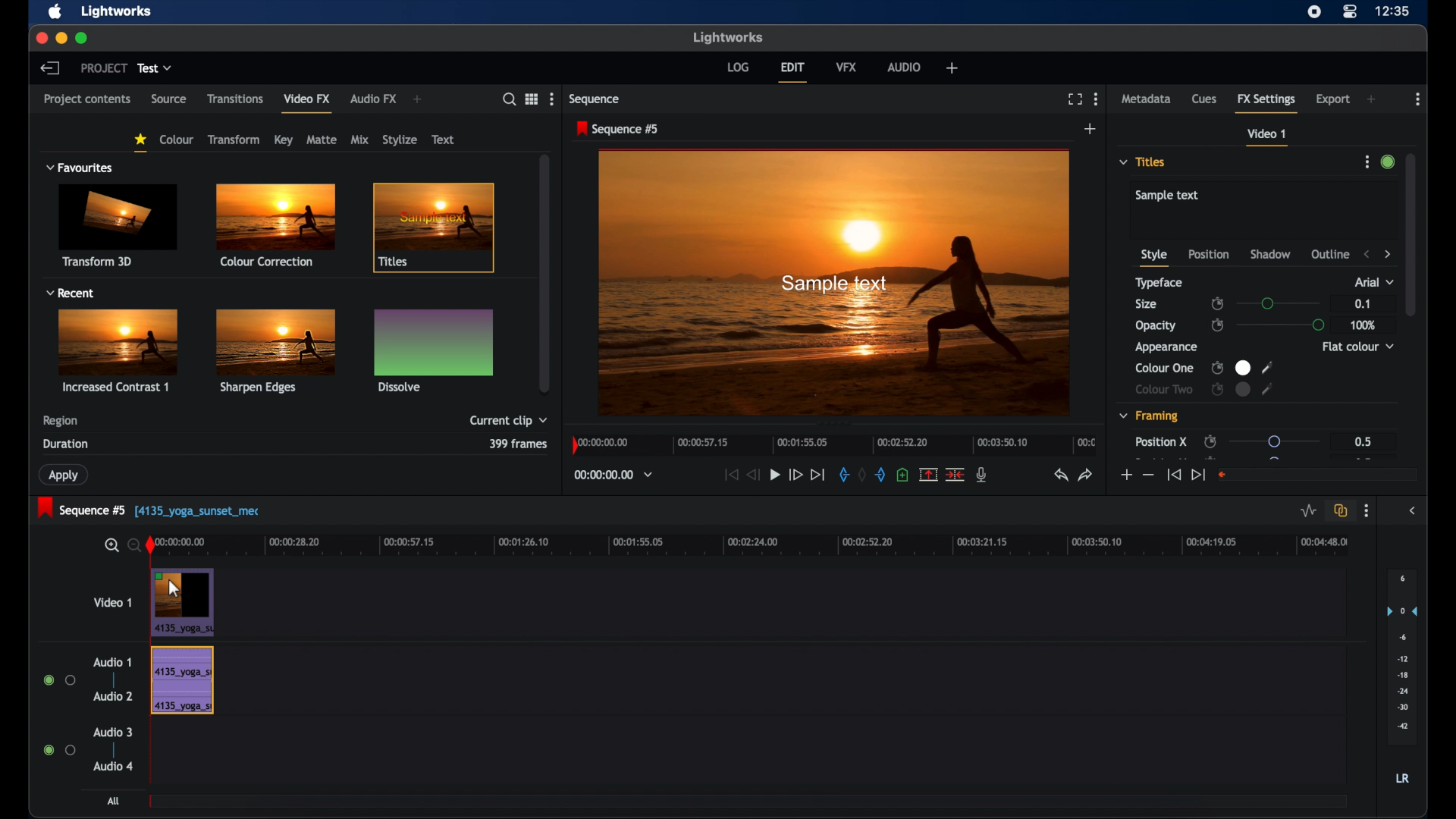  Describe the element at coordinates (40, 37) in the screenshot. I see `close` at that location.